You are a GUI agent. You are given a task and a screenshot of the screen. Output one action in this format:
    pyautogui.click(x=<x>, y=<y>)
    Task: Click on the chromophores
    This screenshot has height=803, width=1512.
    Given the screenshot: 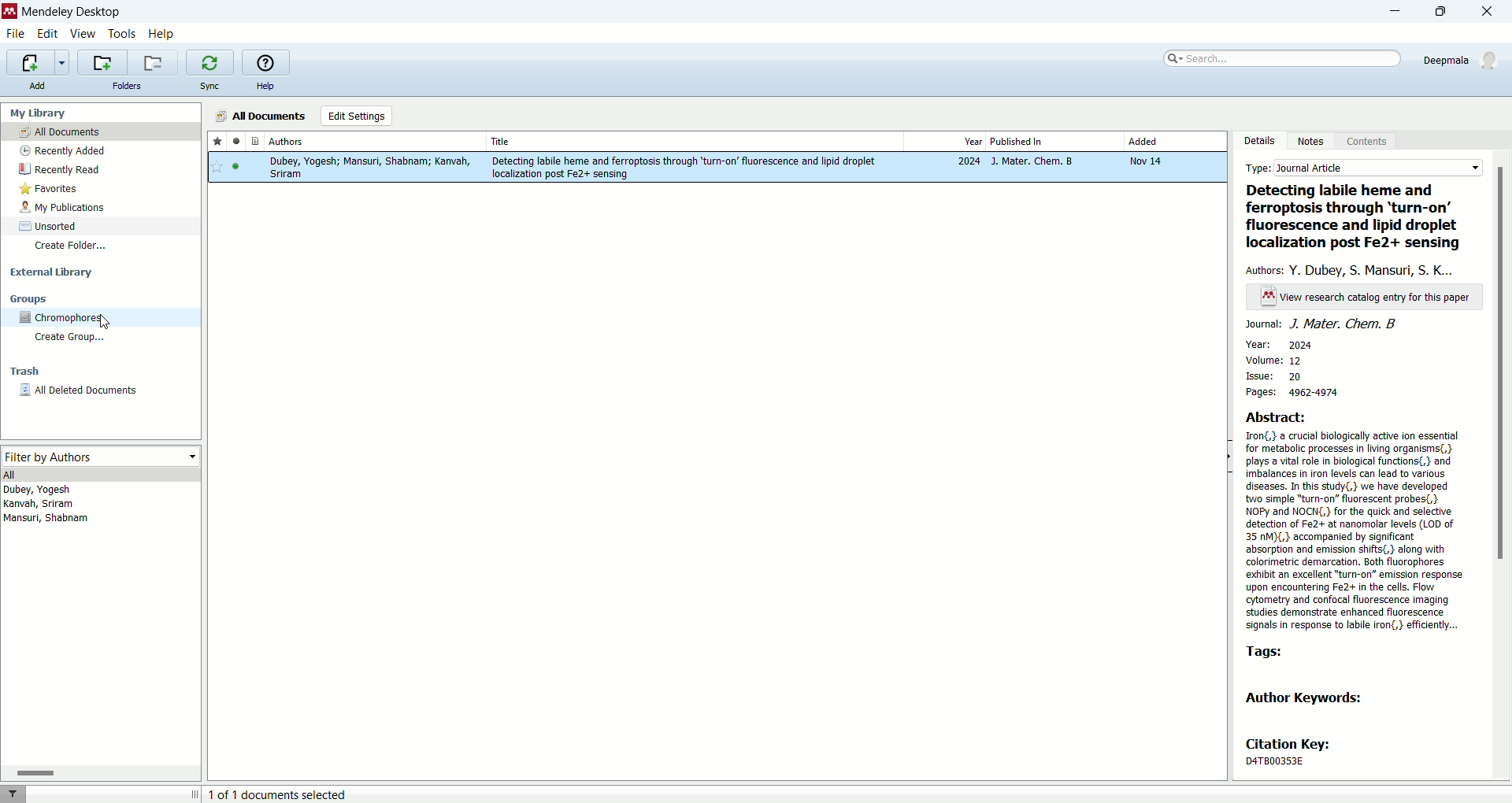 What is the action you would take?
    pyautogui.click(x=63, y=317)
    